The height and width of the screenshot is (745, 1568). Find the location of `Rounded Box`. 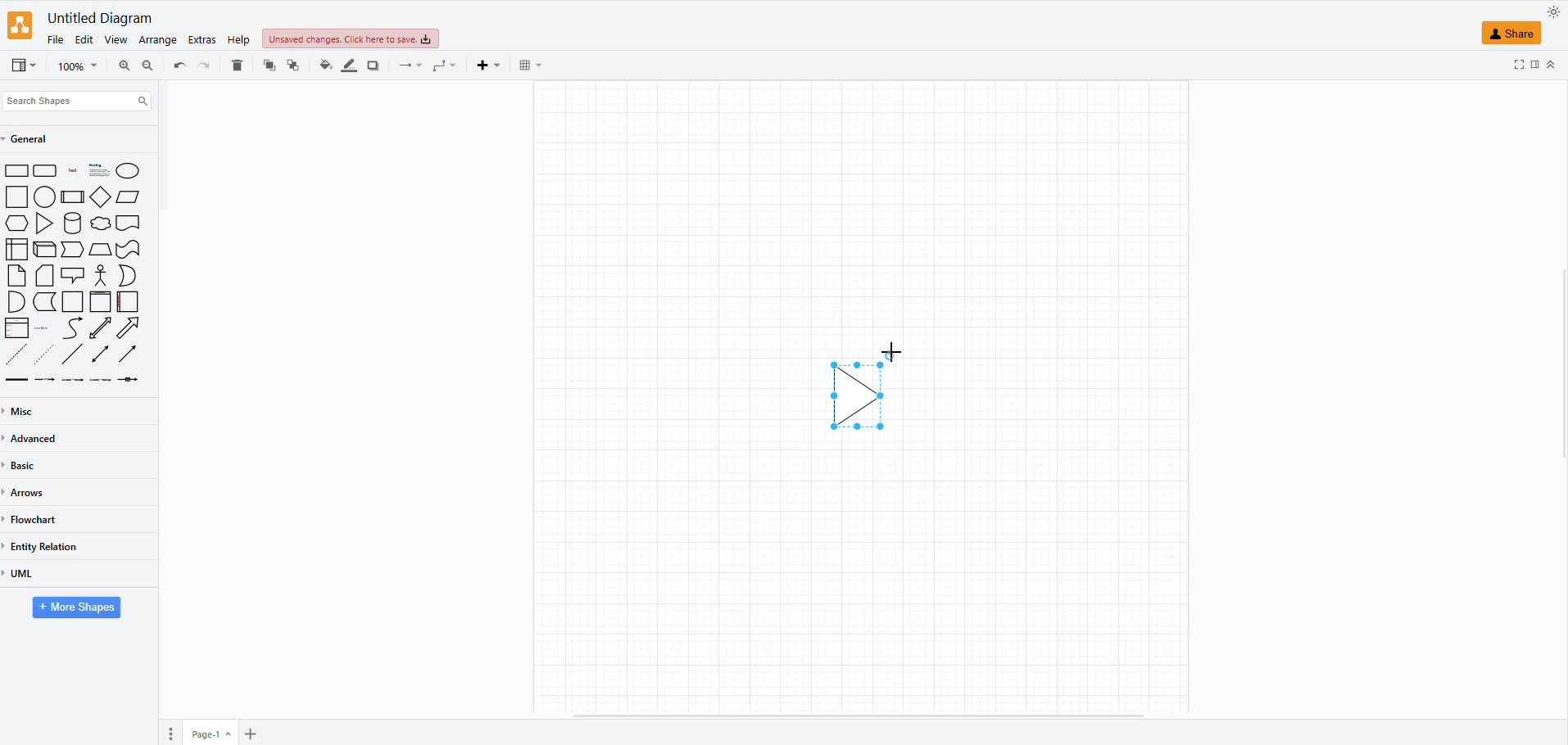

Rounded Box is located at coordinates (46, 170).